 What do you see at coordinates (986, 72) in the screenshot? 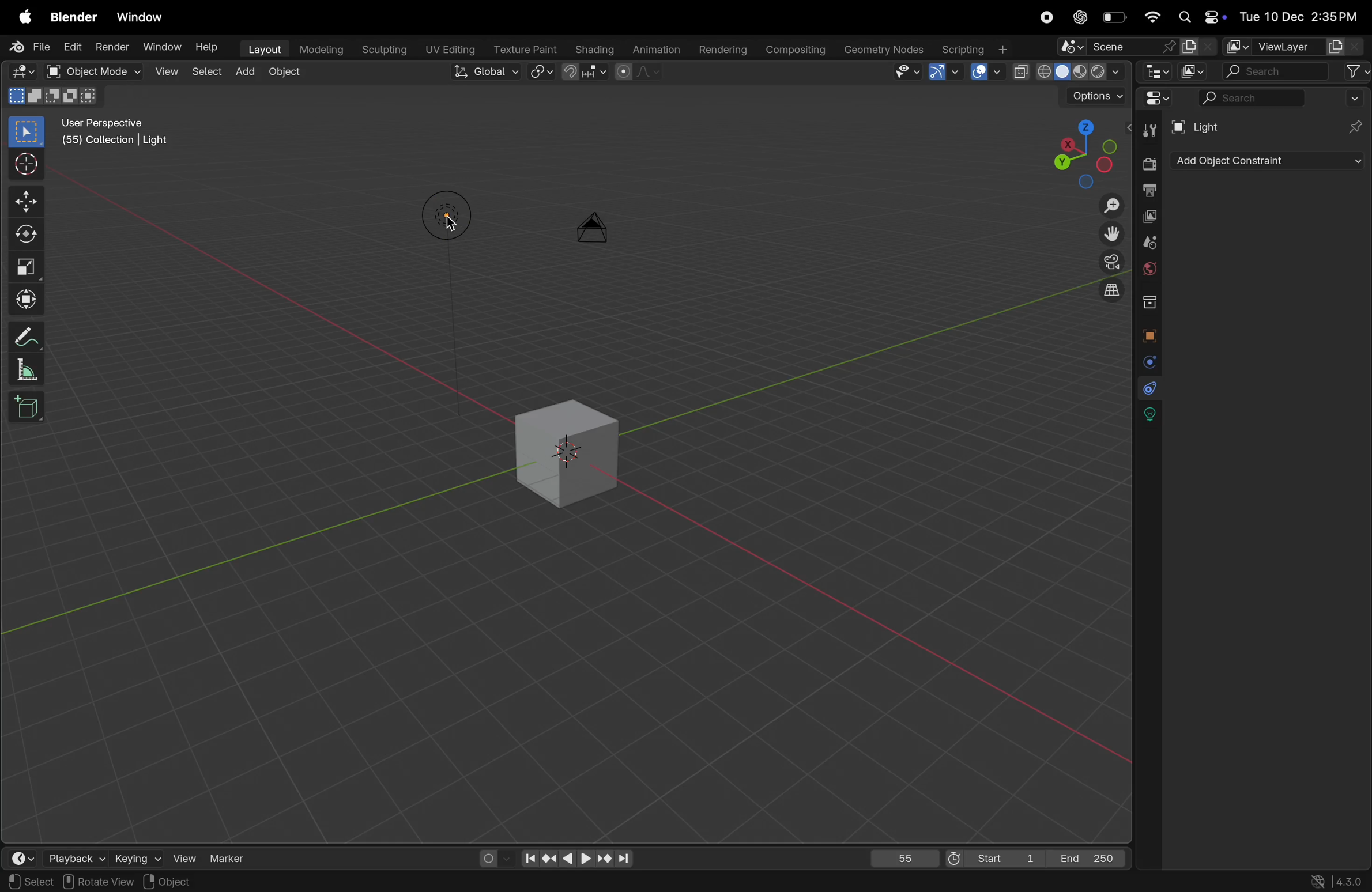
I see `show overlays` at bounding box center [986, 72].